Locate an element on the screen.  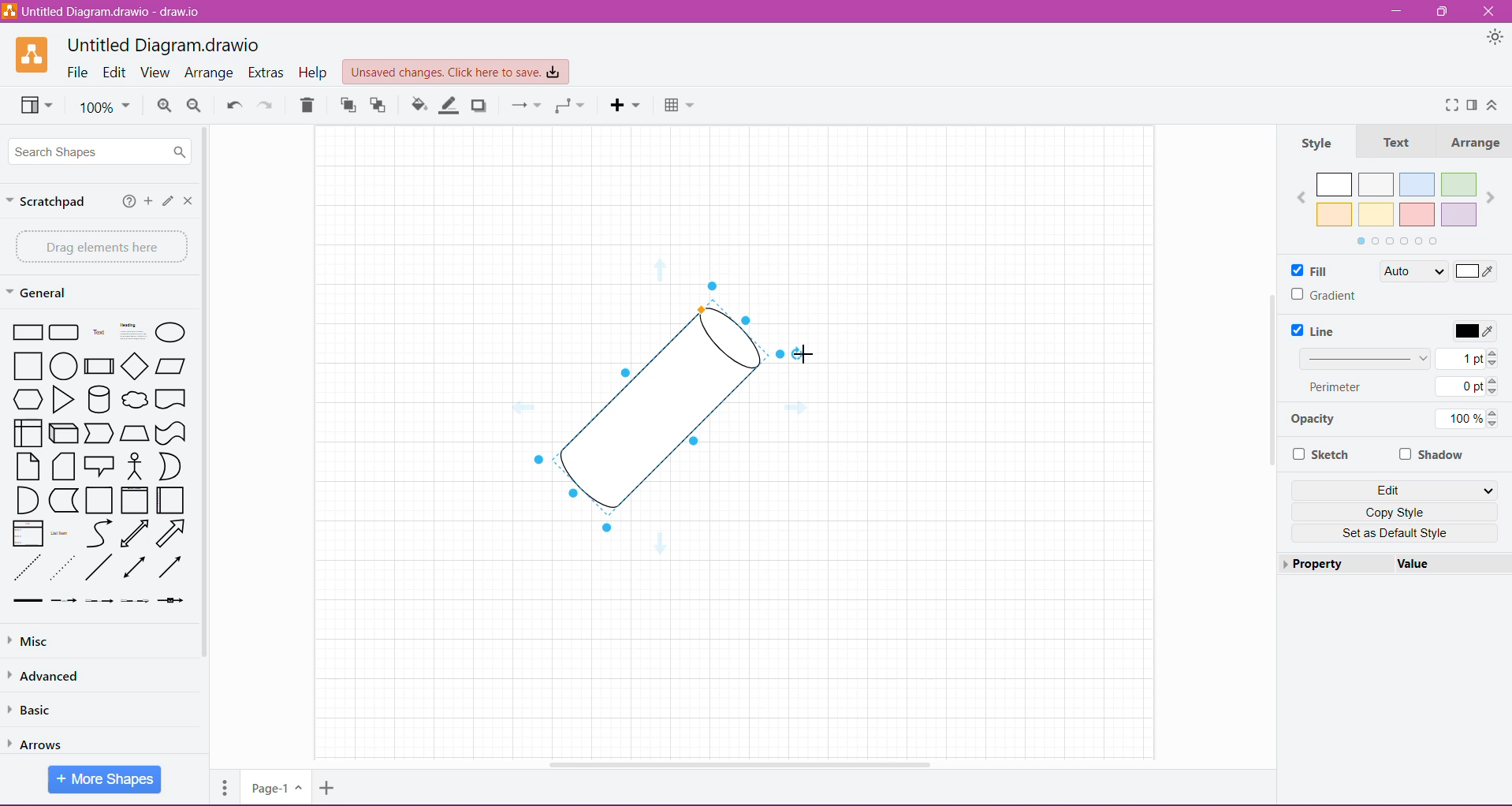
Shapes is located at coordinates (96, 461).